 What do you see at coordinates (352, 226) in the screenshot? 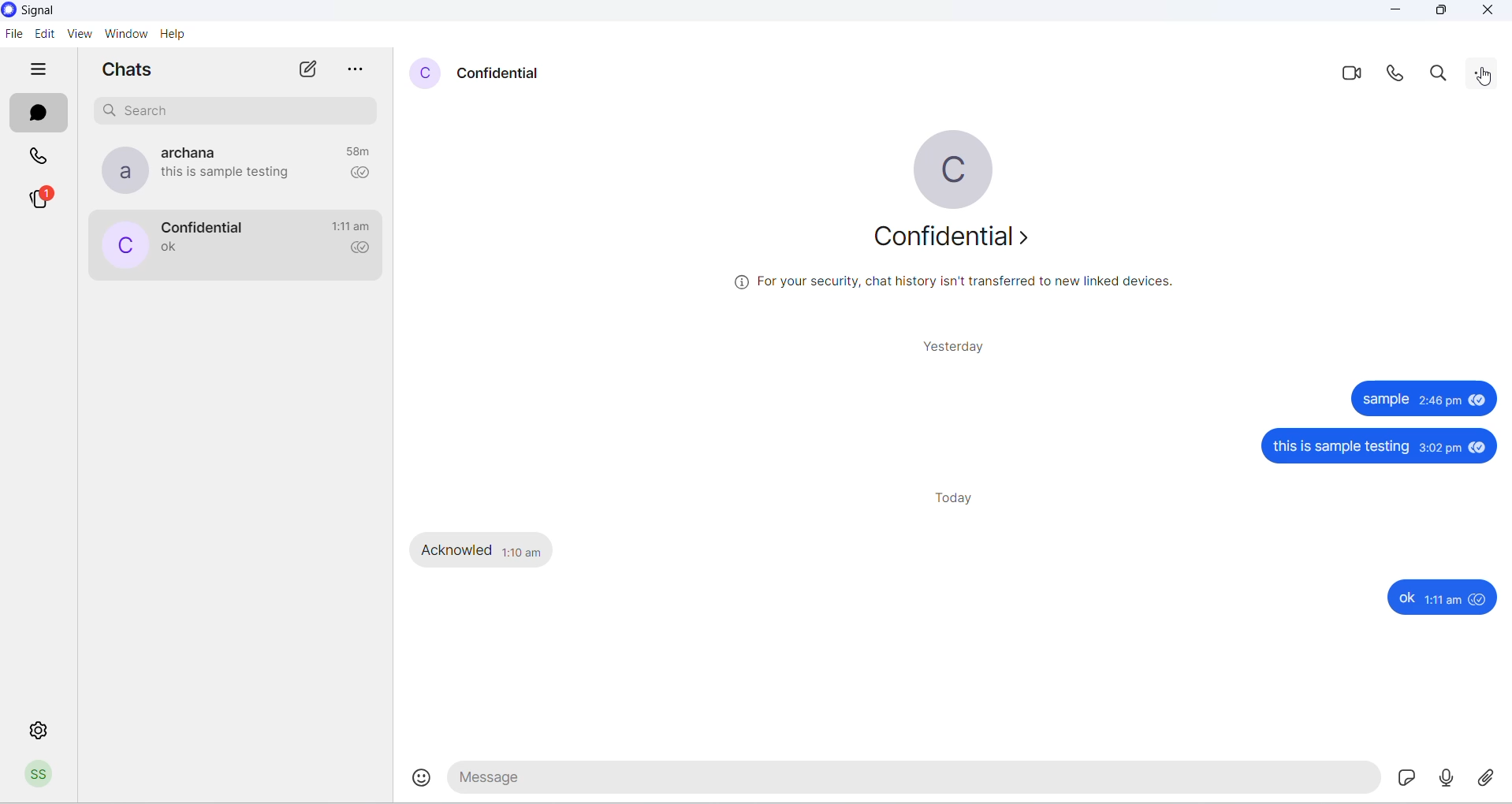
I see `last message time` at bounding box center [352, 226].